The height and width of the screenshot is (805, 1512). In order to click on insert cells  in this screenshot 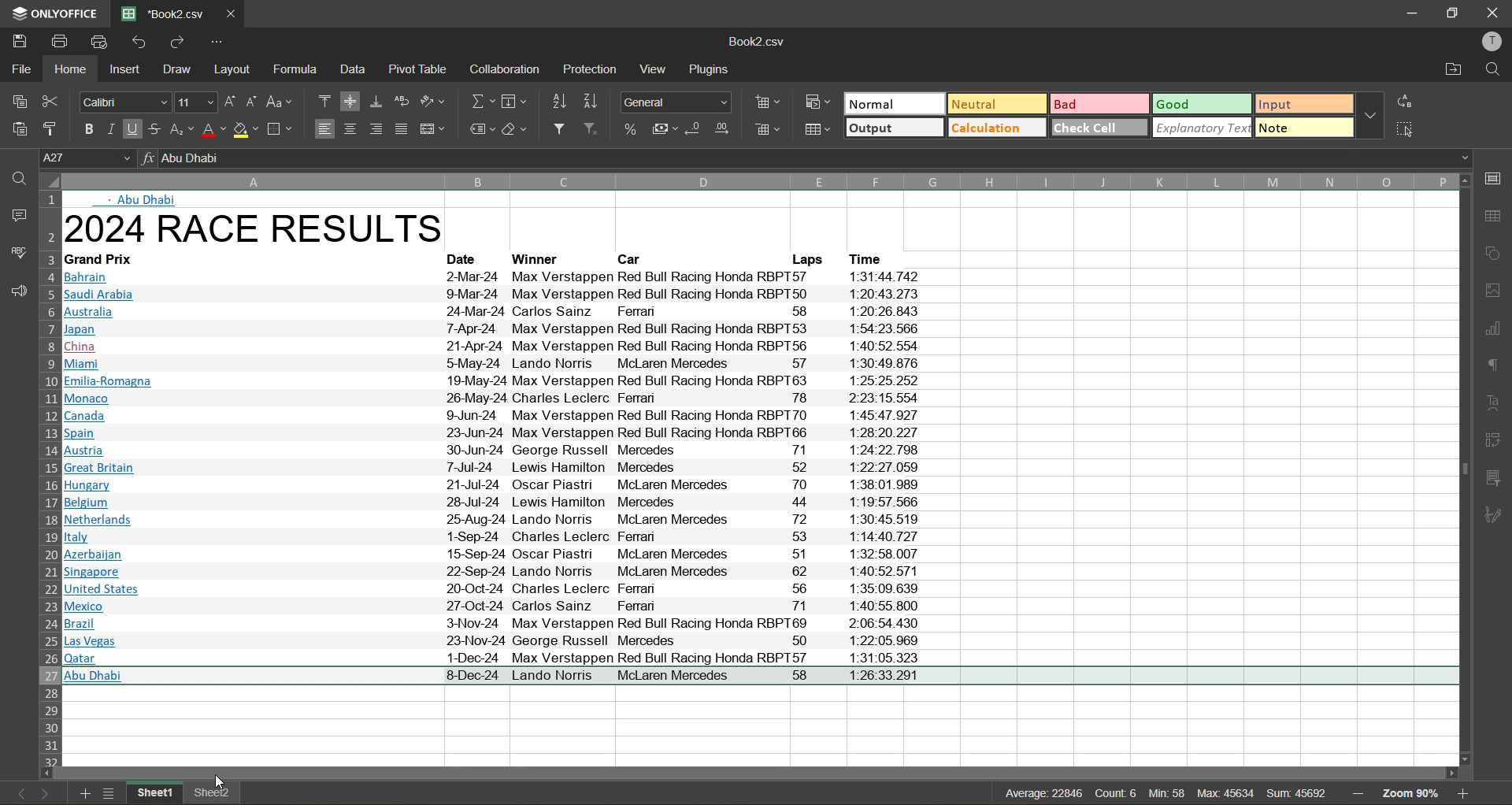, I will do `click(769, 102)`.